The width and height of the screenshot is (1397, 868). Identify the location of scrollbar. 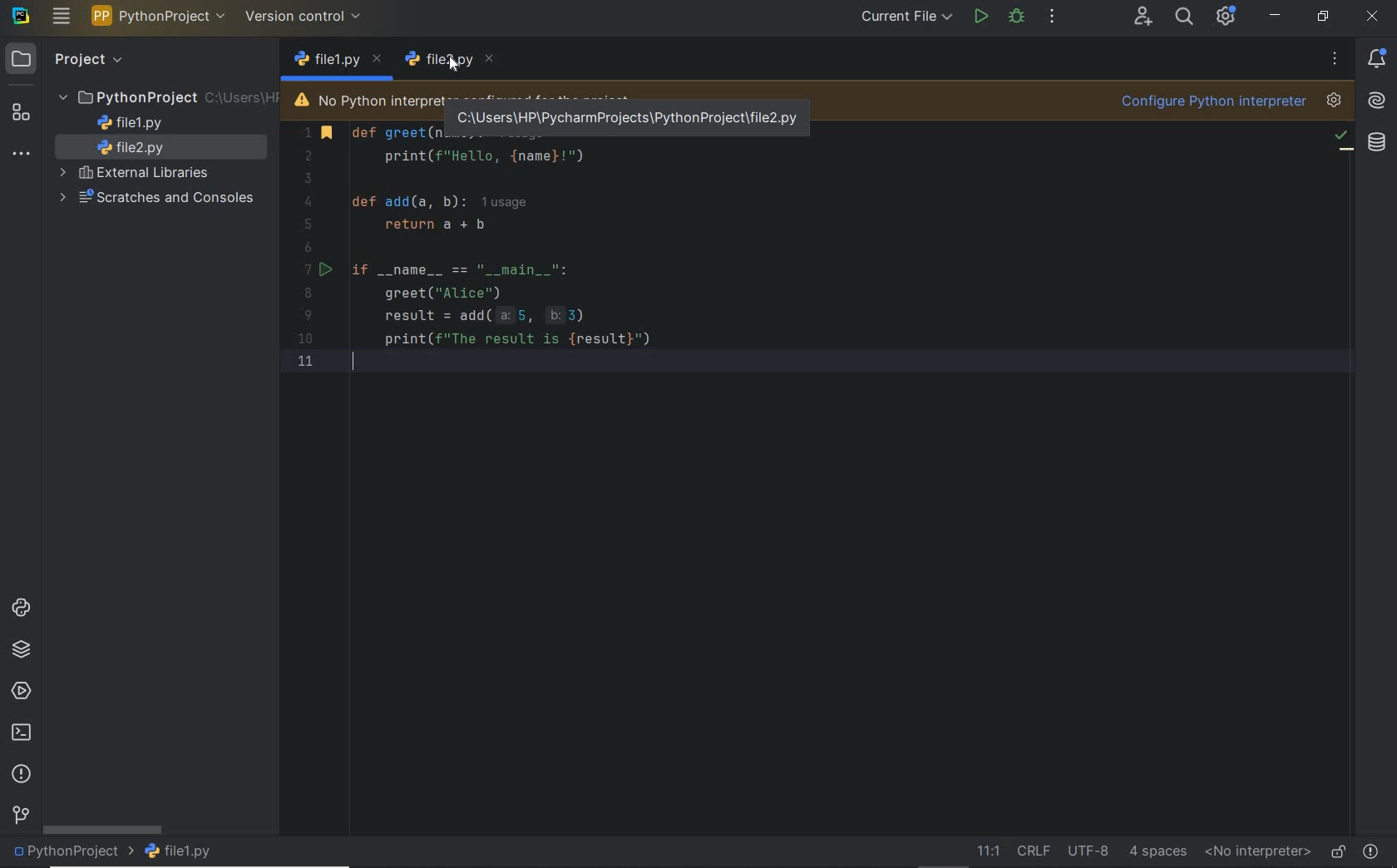
(101, 829).